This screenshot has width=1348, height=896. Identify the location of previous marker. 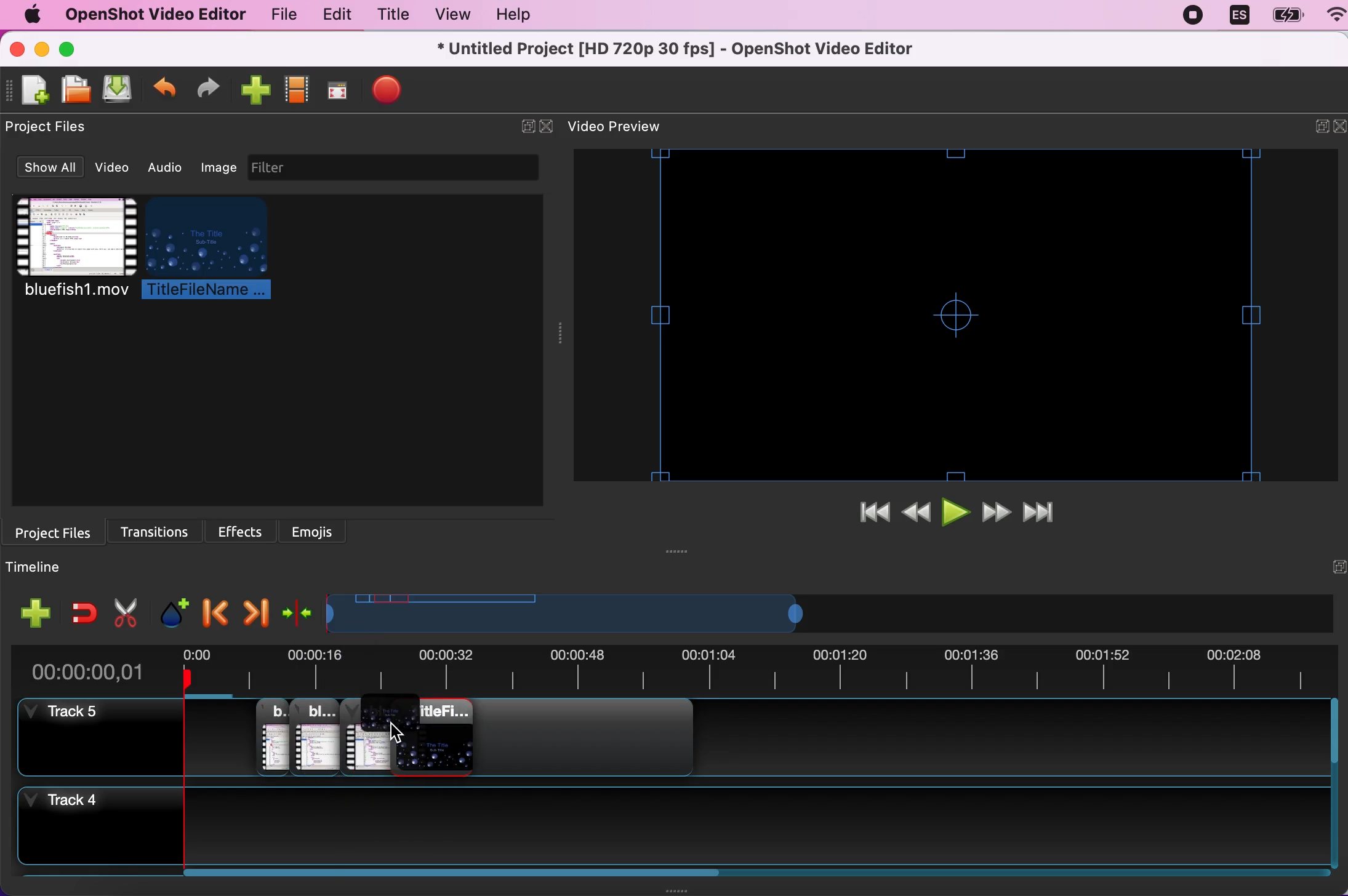
(214, 609).